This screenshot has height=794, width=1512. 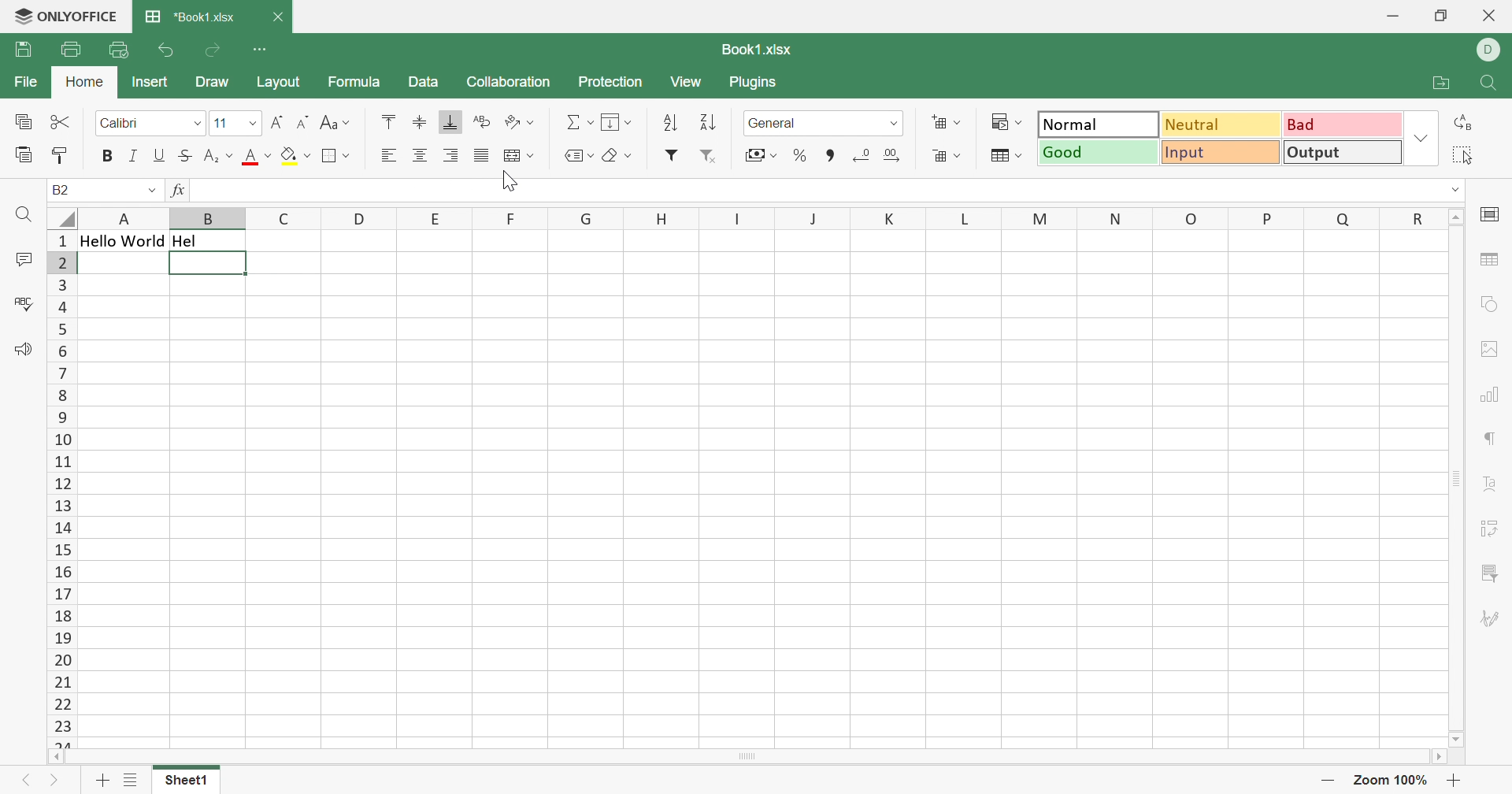 What do you see at coordinates (1454, 781) in the screenshot?
I see `Zoom in` at bounding box center [1454, 781].